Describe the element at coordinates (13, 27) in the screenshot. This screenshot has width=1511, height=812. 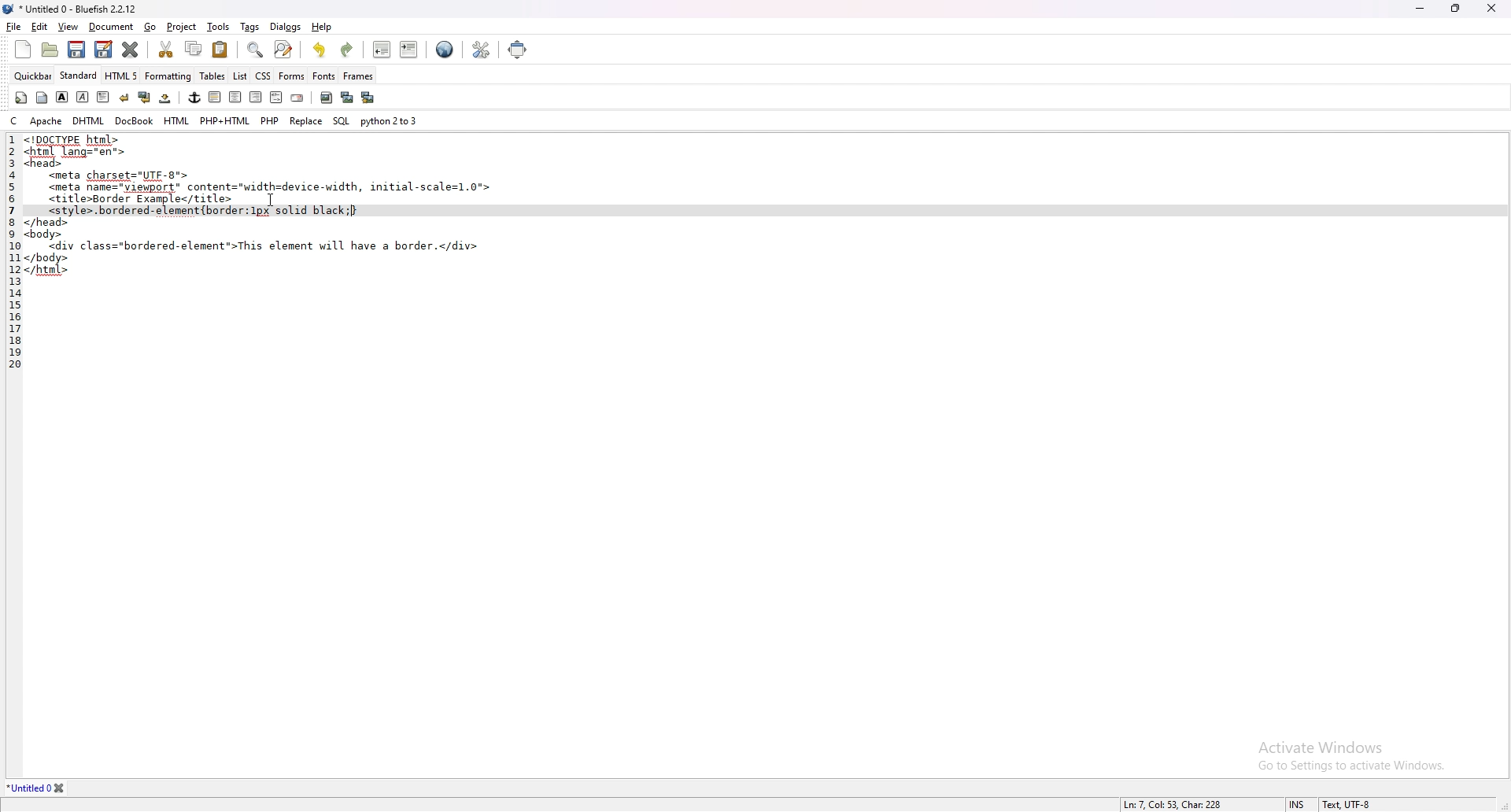
I see `file` at that location.